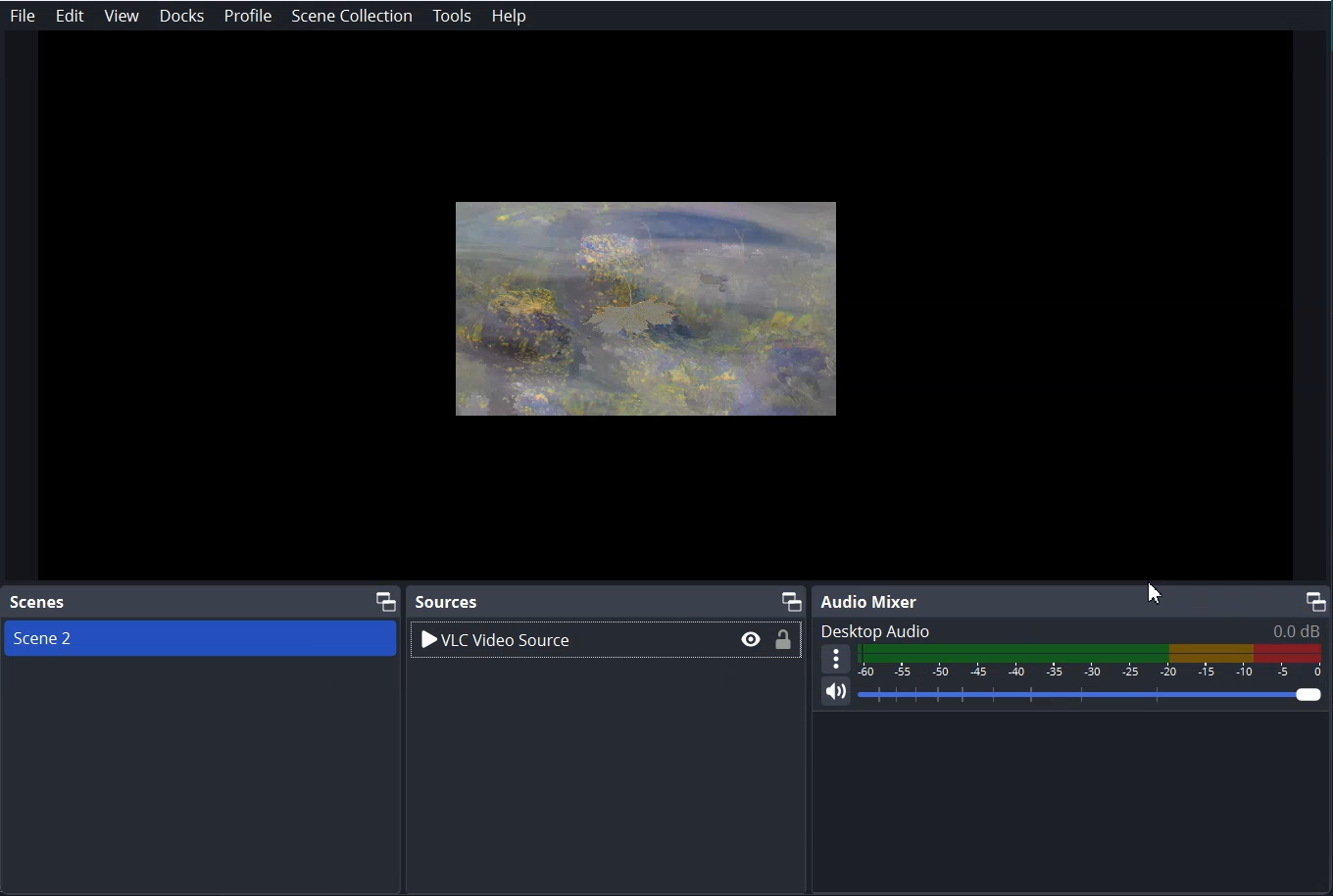 This screenshot has width=1333, height=896. What do you see at coordinates (380, 602) in the screenshot?
I see `Maximize` at bounding box center [380, 602].